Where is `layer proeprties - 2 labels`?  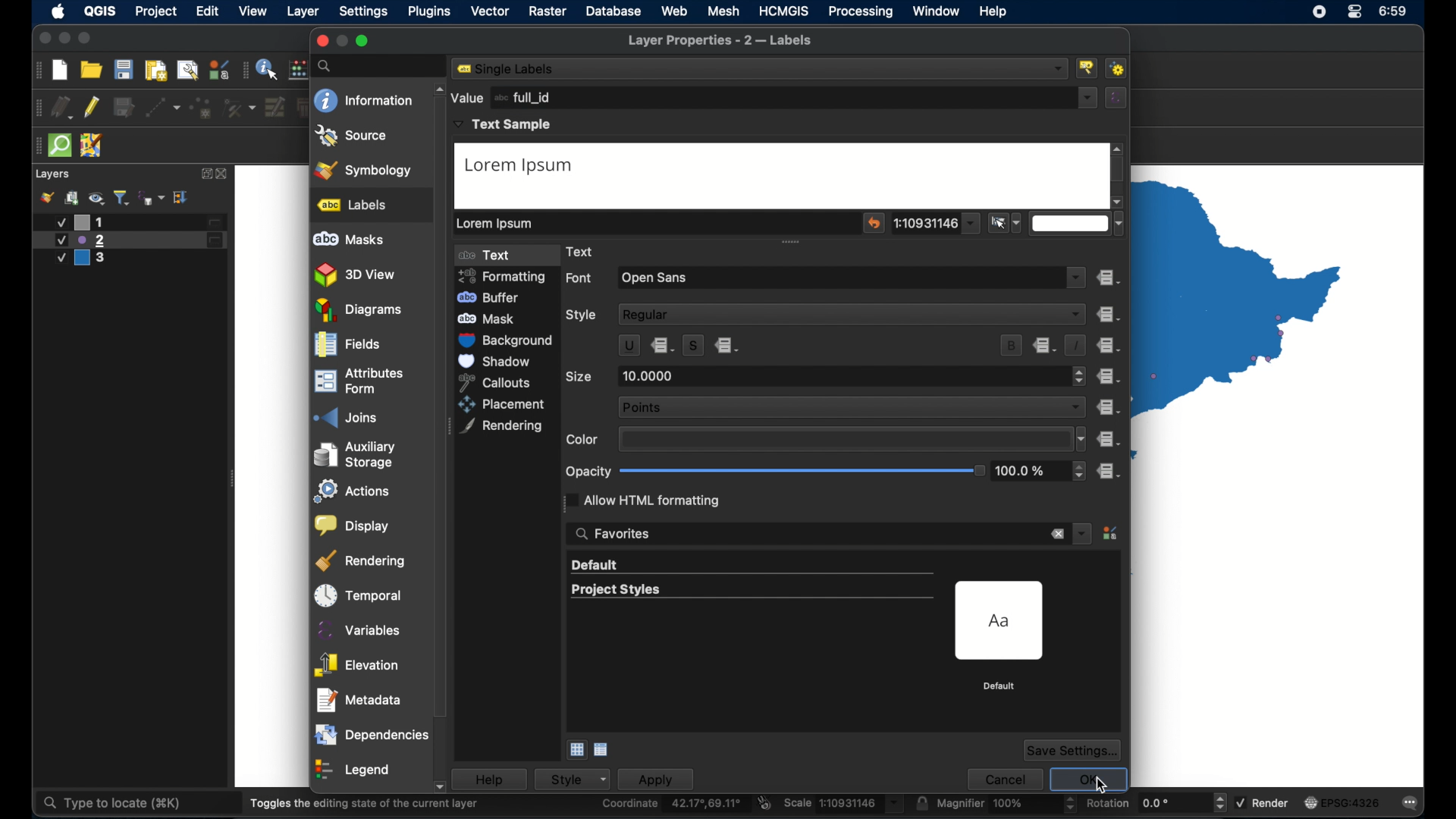 layer proeprties - 2 labels is located at coordinates (720, 41).